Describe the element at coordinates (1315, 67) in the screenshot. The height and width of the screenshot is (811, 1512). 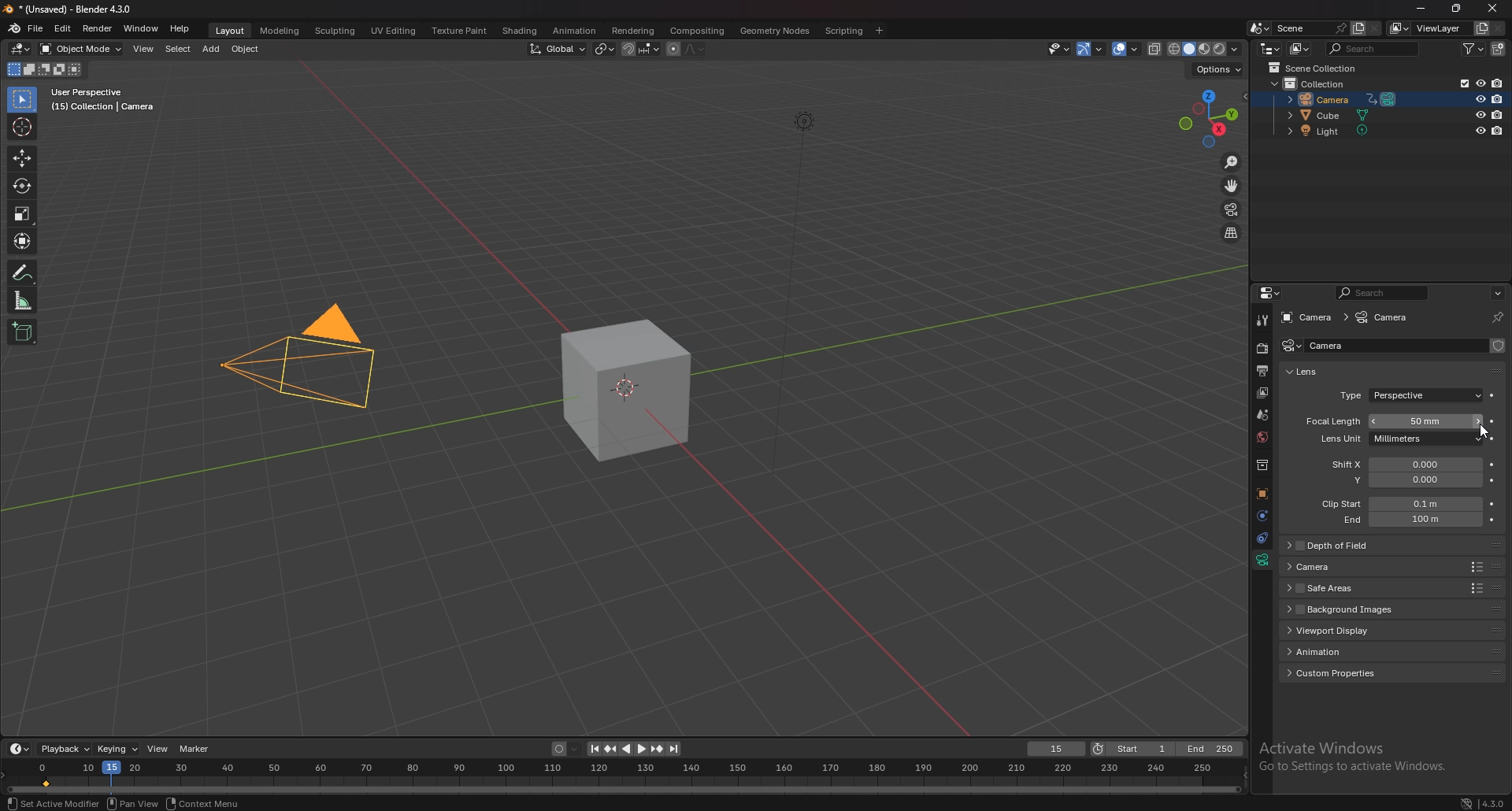
I see `scene collection` at that location.